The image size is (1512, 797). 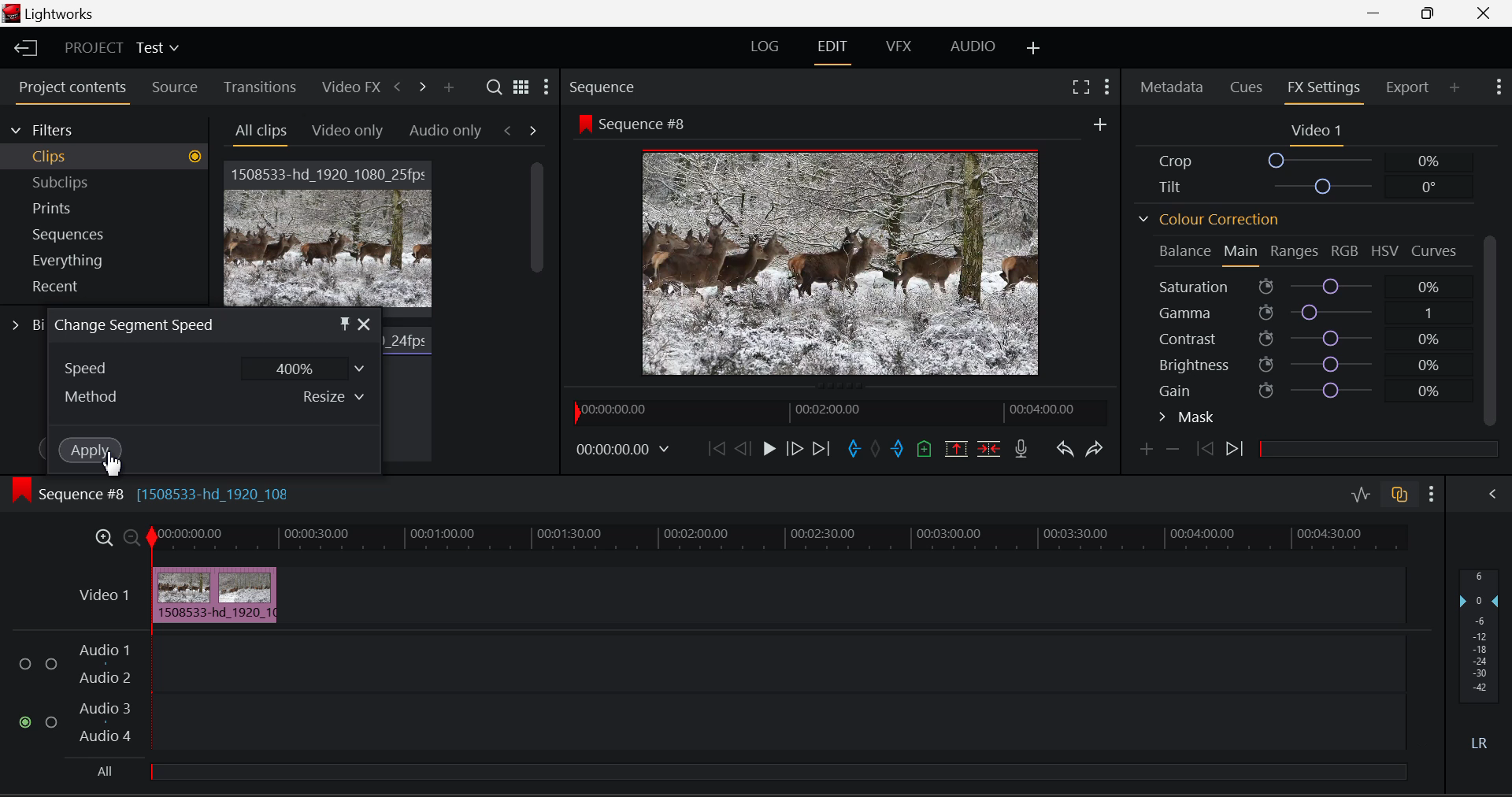 What do you see at coordinates (1385, 252) in the screenshot?
I see `HSV` at bounding box center [1385, 252].